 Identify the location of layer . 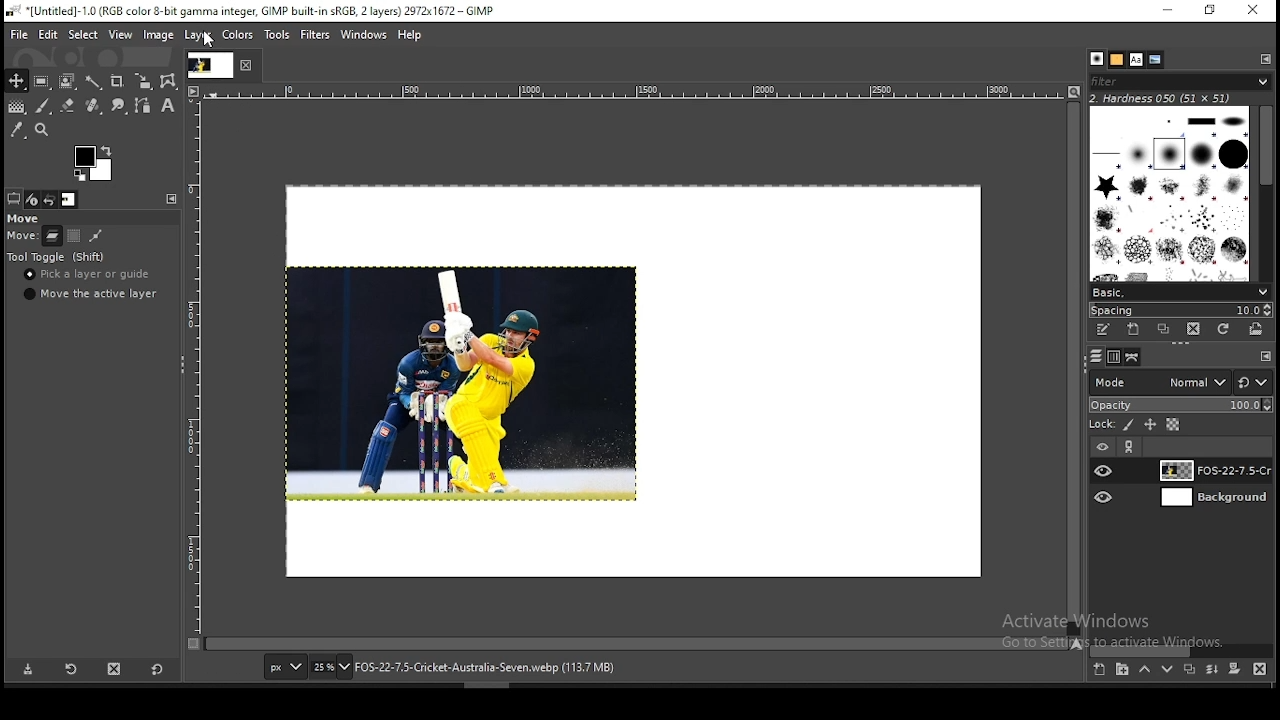
(1212, 499).